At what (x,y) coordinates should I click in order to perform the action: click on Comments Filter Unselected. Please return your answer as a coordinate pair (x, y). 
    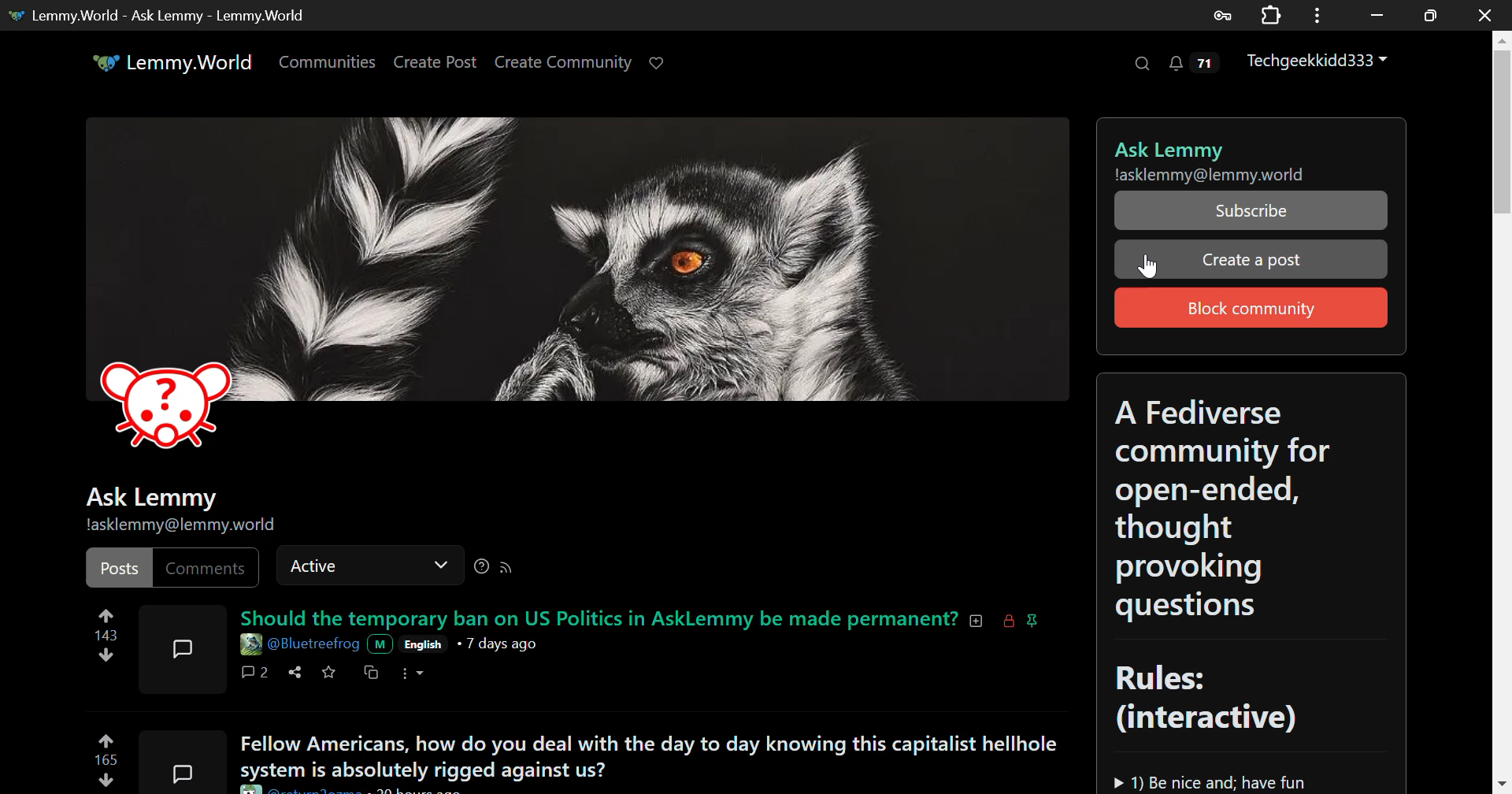
    Looking at the image, I should click on (209, 566).